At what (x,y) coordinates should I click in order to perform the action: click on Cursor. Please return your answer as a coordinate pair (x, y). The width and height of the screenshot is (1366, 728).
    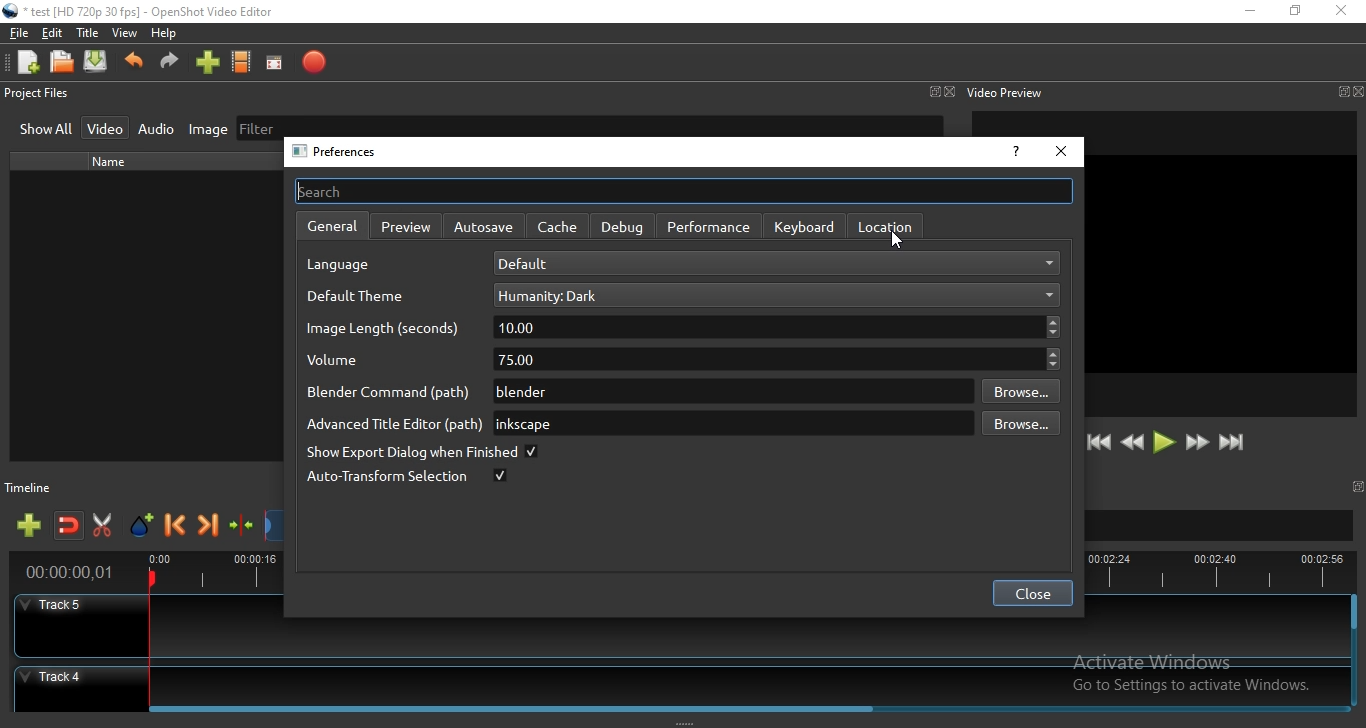
    Looking at the image, I should click on (893, 242).